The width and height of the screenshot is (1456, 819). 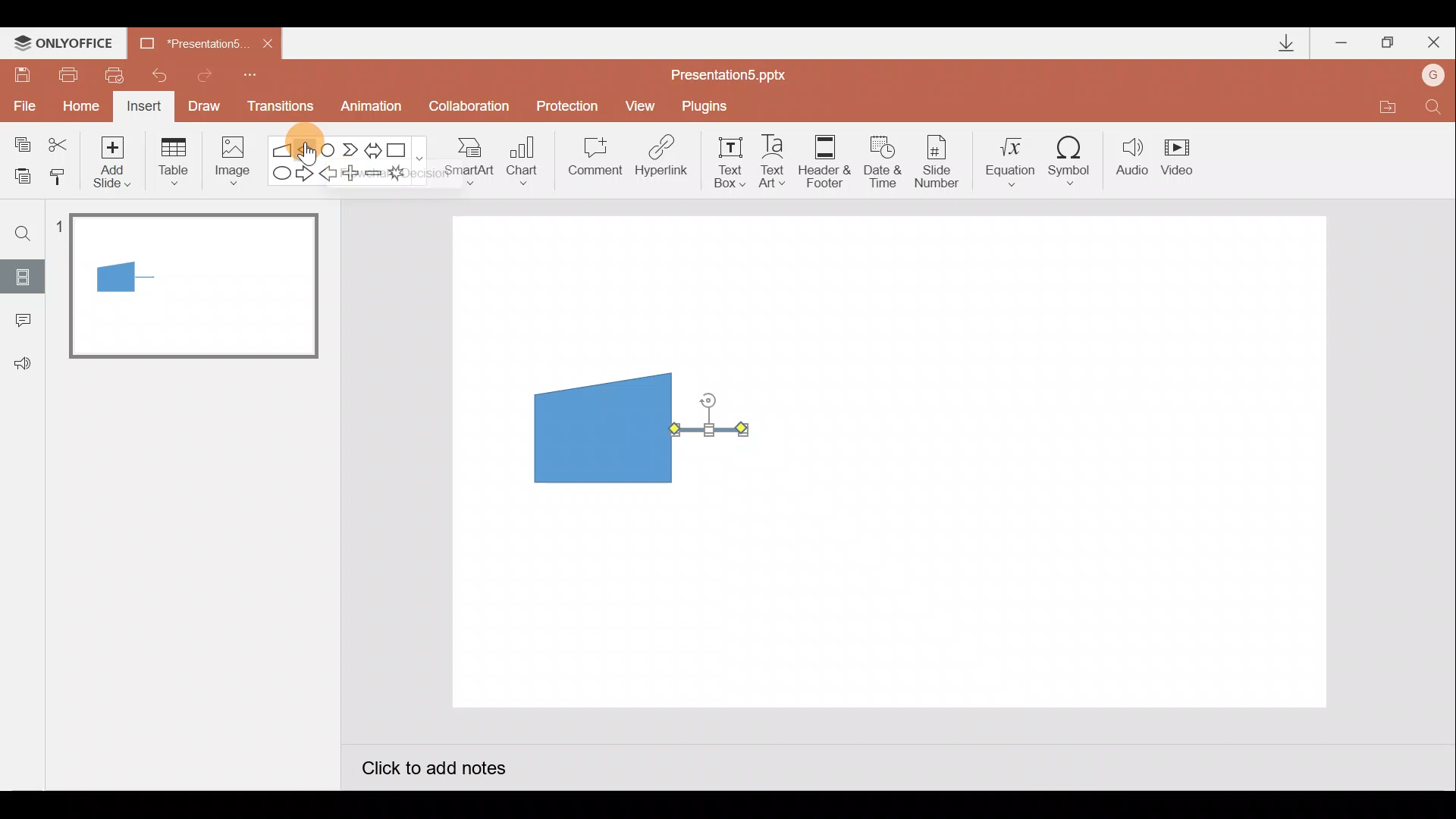 What do you see at coordinates (115, 158) in the screenshot?
I see `Add slide` at bounding box center [115, 158].